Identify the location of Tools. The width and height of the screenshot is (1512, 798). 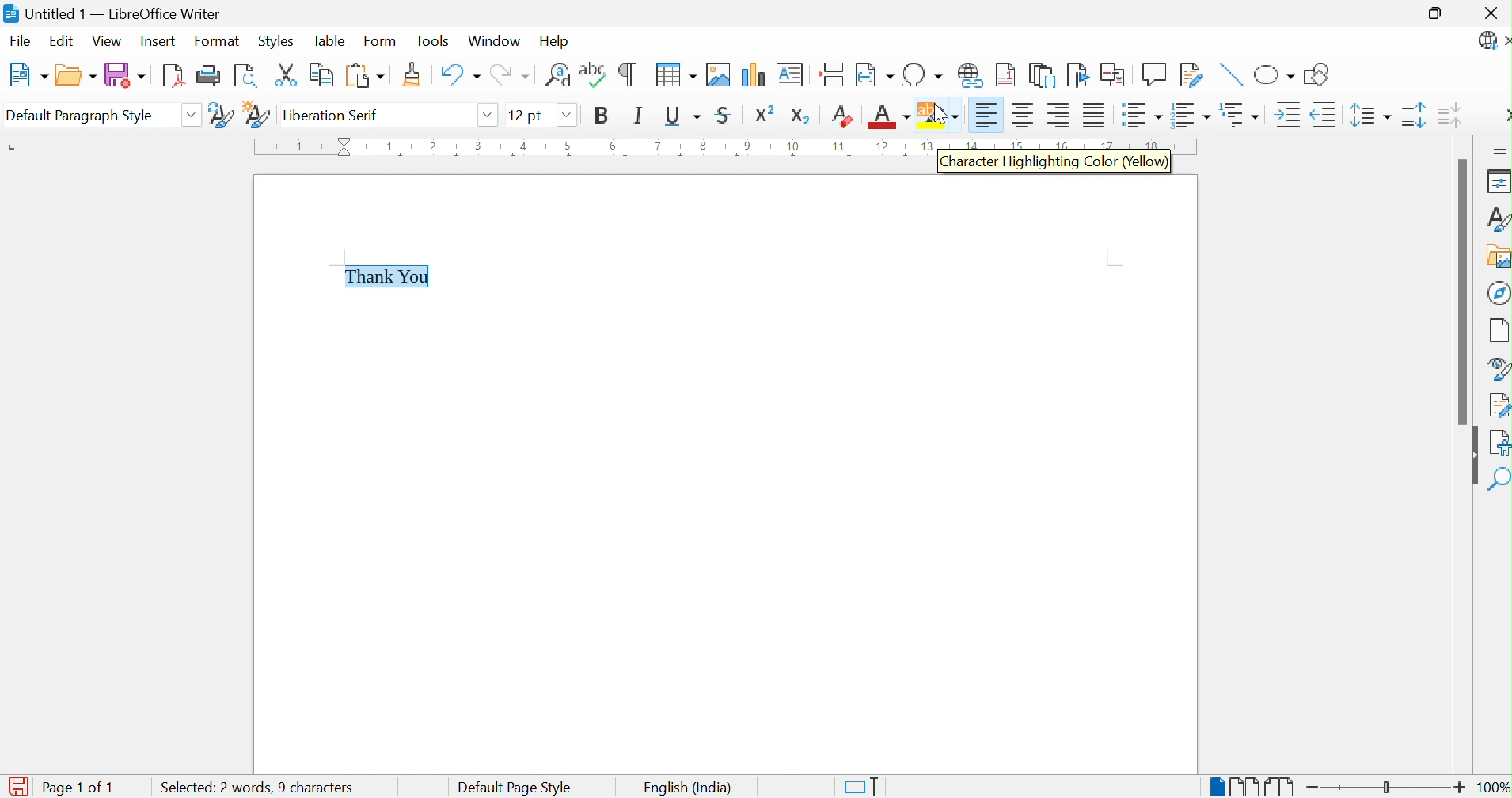
(433, 42).